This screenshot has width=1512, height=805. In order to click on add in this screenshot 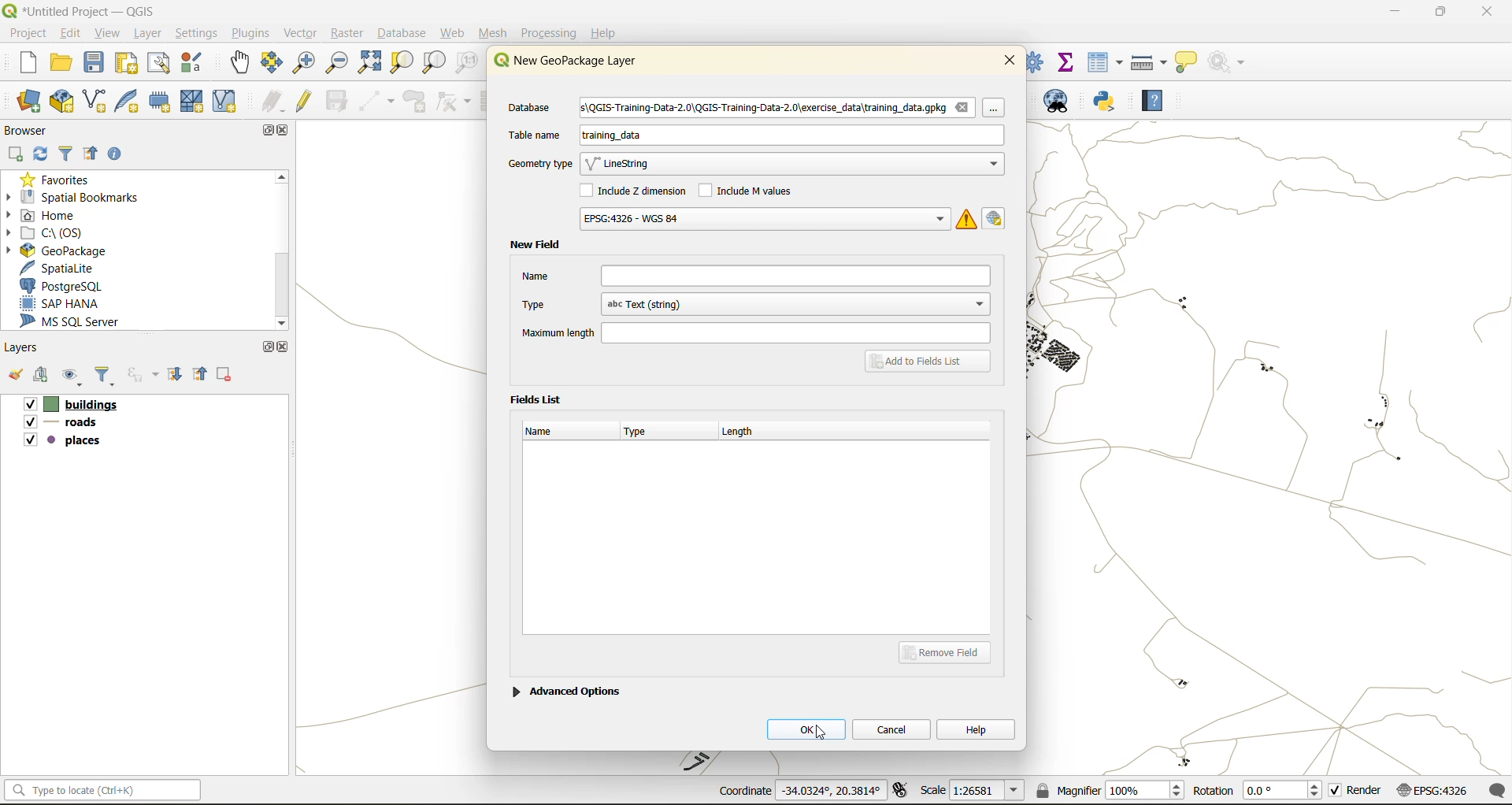, I will do `click(43, 377)`.